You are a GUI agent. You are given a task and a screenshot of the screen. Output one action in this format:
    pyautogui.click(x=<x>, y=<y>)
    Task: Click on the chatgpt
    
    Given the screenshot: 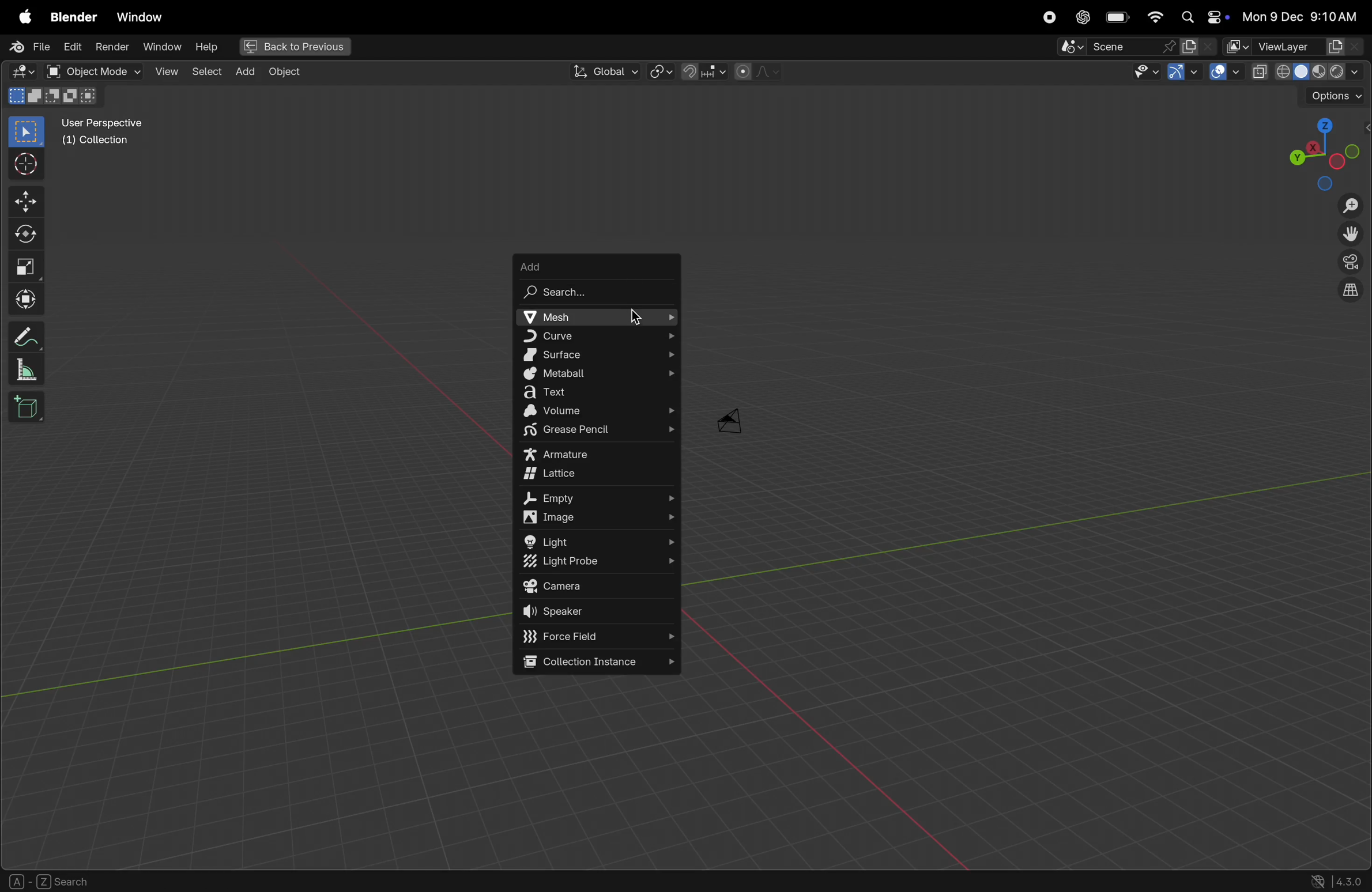 What is the action you would take?
    pyautogui.click(x=1081, y=17)
    